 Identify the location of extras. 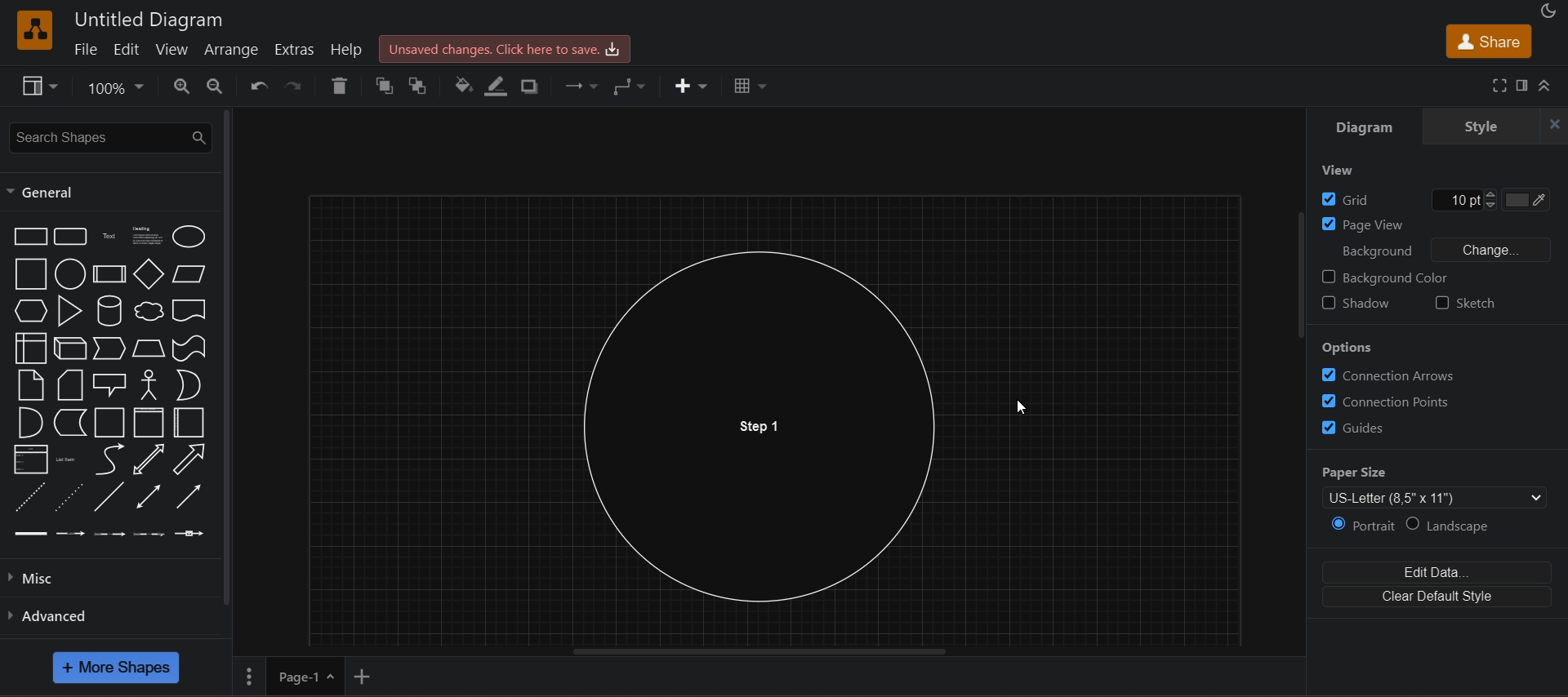
(295, 51).